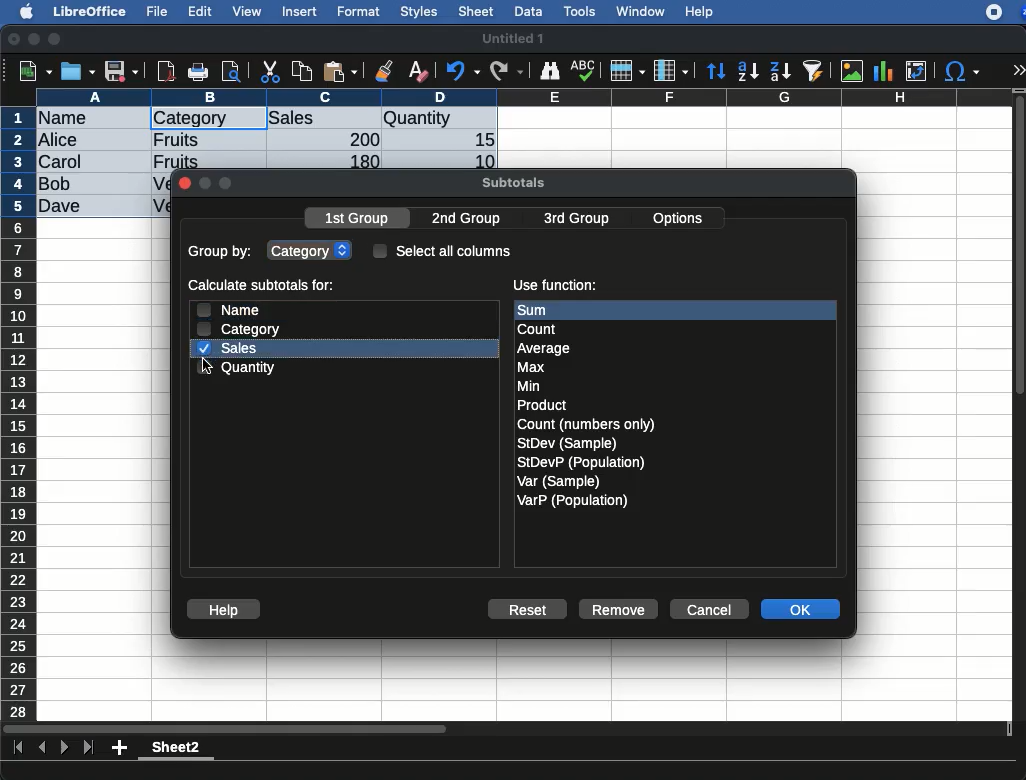  What do you see at coordinates (586, 70) in the screenshot?
I see `spell check` at bounding box center [586, 70].